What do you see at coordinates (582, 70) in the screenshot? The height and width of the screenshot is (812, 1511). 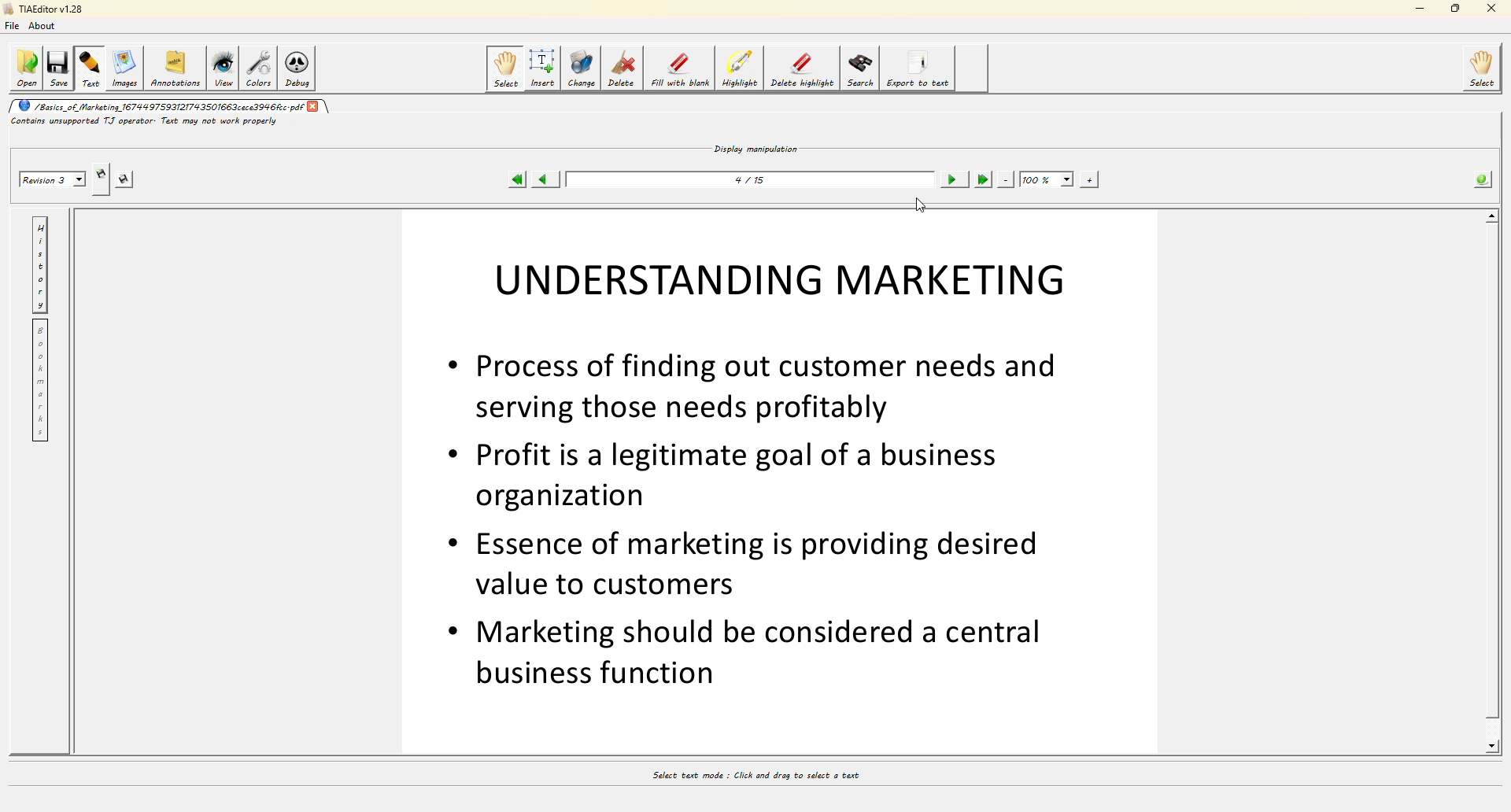 I see `change` at bounding box center [582, 70].